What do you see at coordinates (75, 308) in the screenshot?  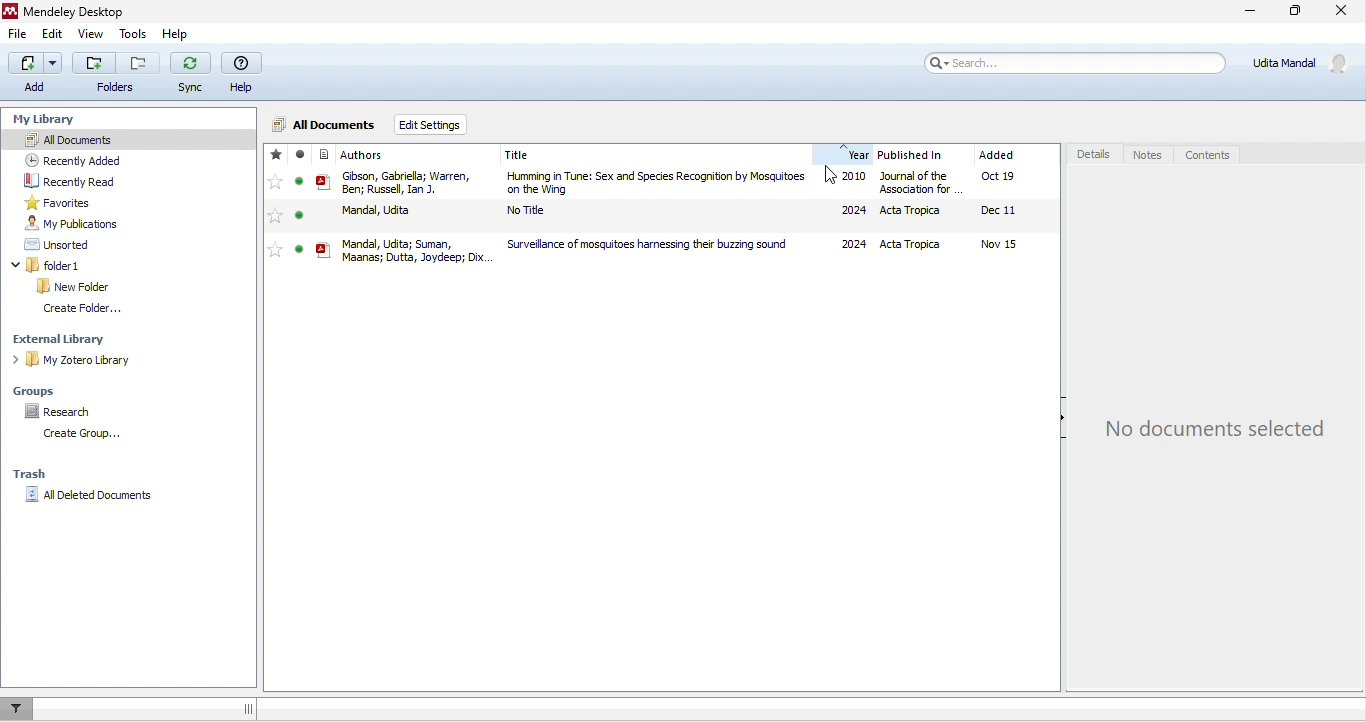 I see `create folder` at bounding box center [75, 308].